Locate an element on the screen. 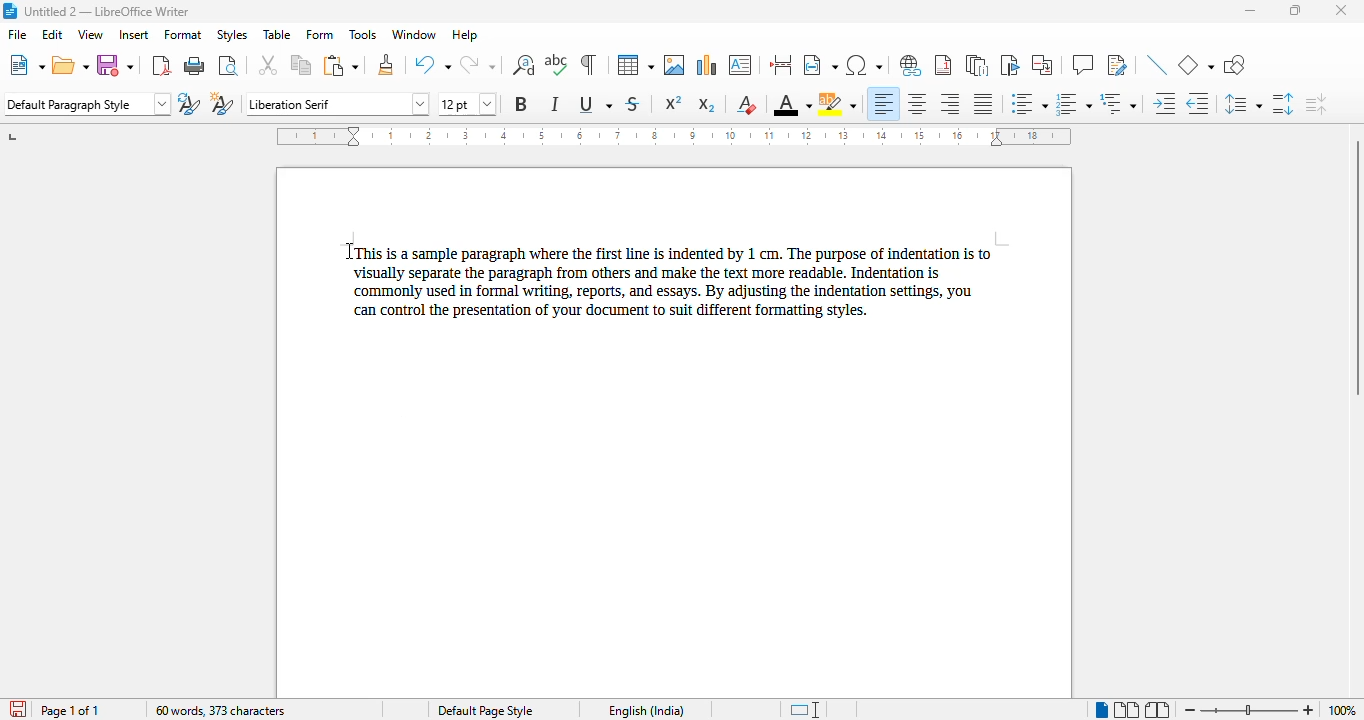 This screenshot has width=1364, height=720. insert field is located at coordinates (819, 65).